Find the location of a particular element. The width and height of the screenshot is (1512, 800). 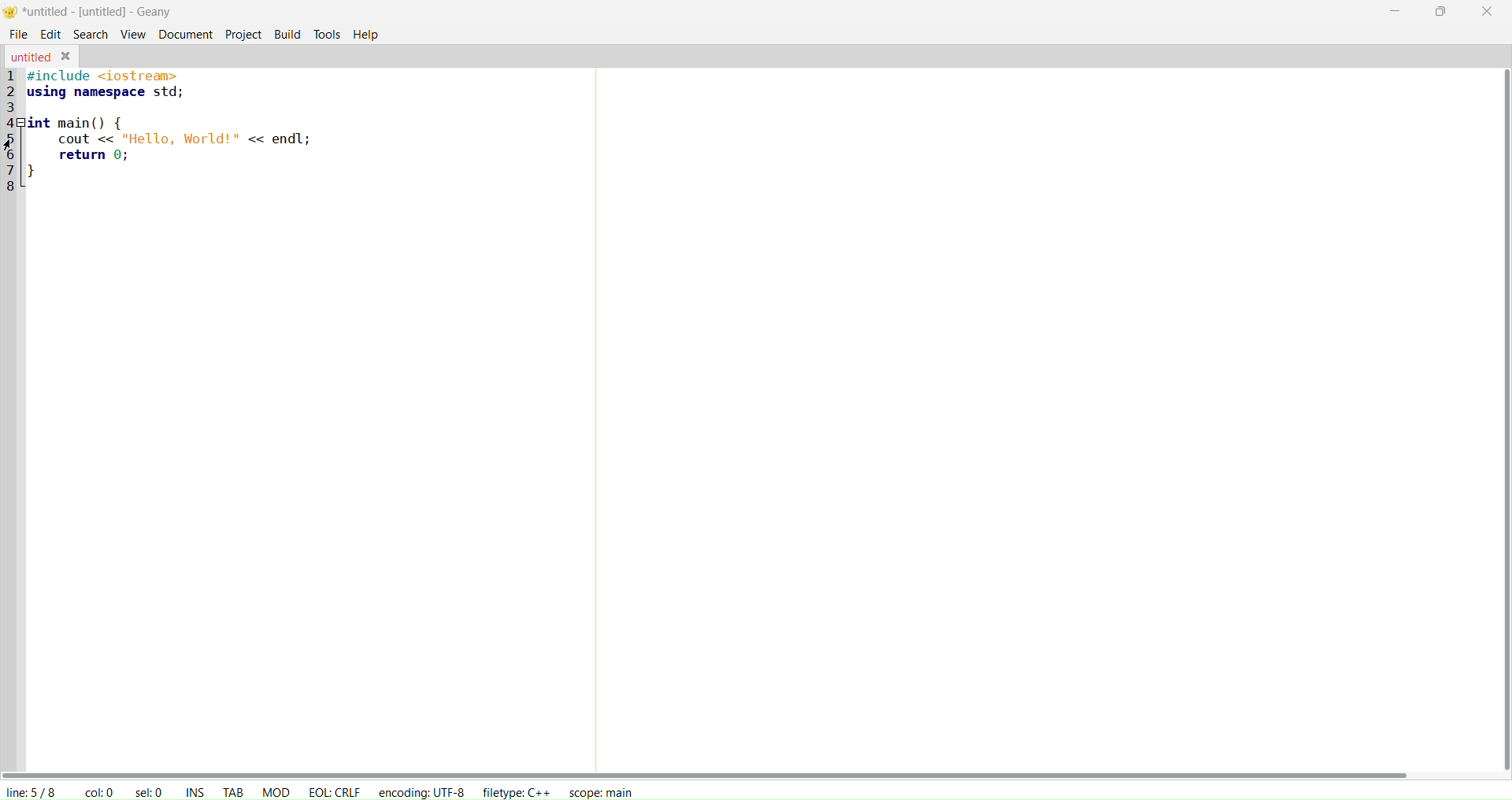

tools is located at coordinates (327, 35).